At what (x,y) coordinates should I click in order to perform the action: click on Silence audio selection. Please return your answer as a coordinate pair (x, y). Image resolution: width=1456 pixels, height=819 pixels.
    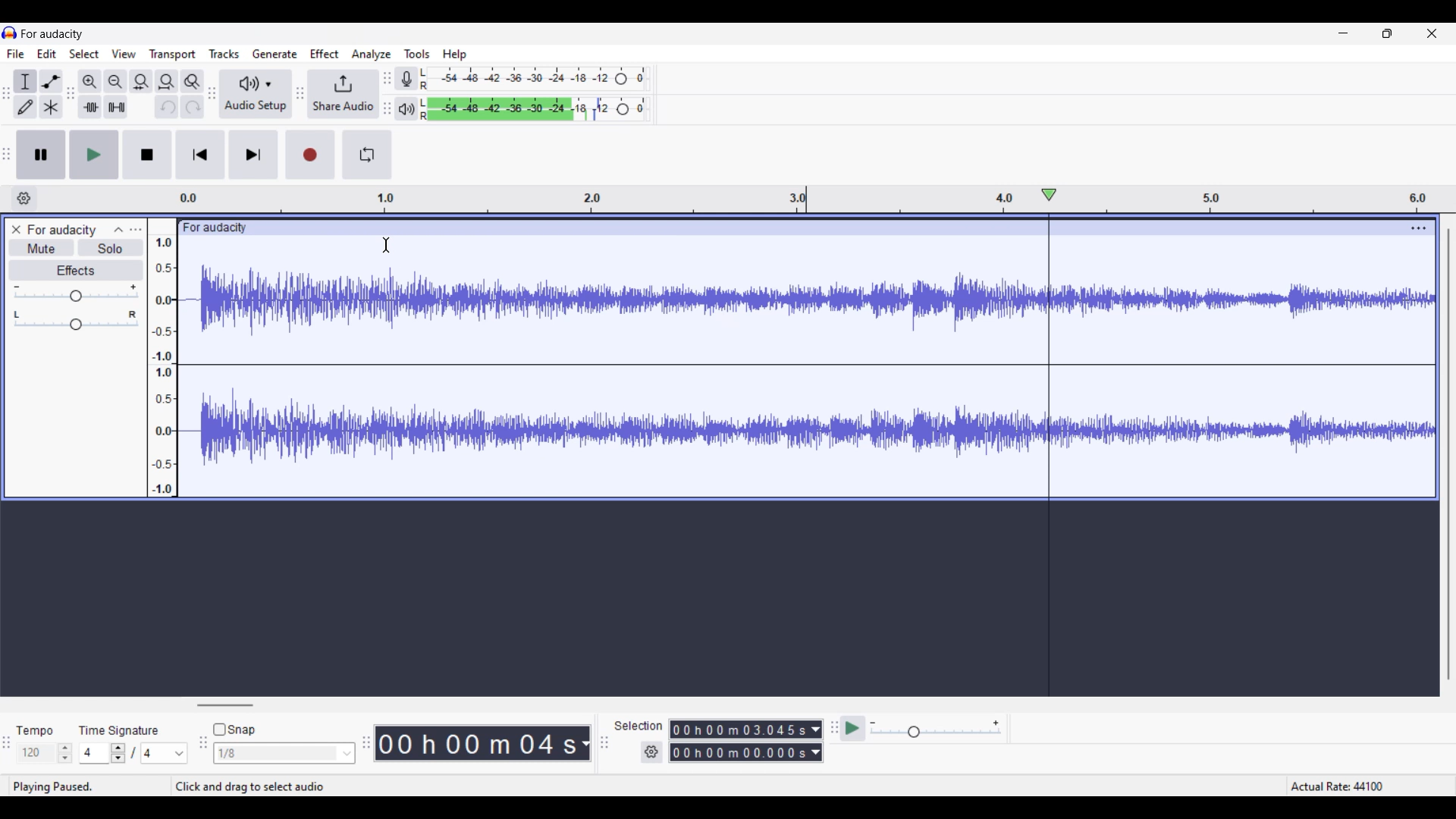
    Looking at the image, I should click on (116, 107).